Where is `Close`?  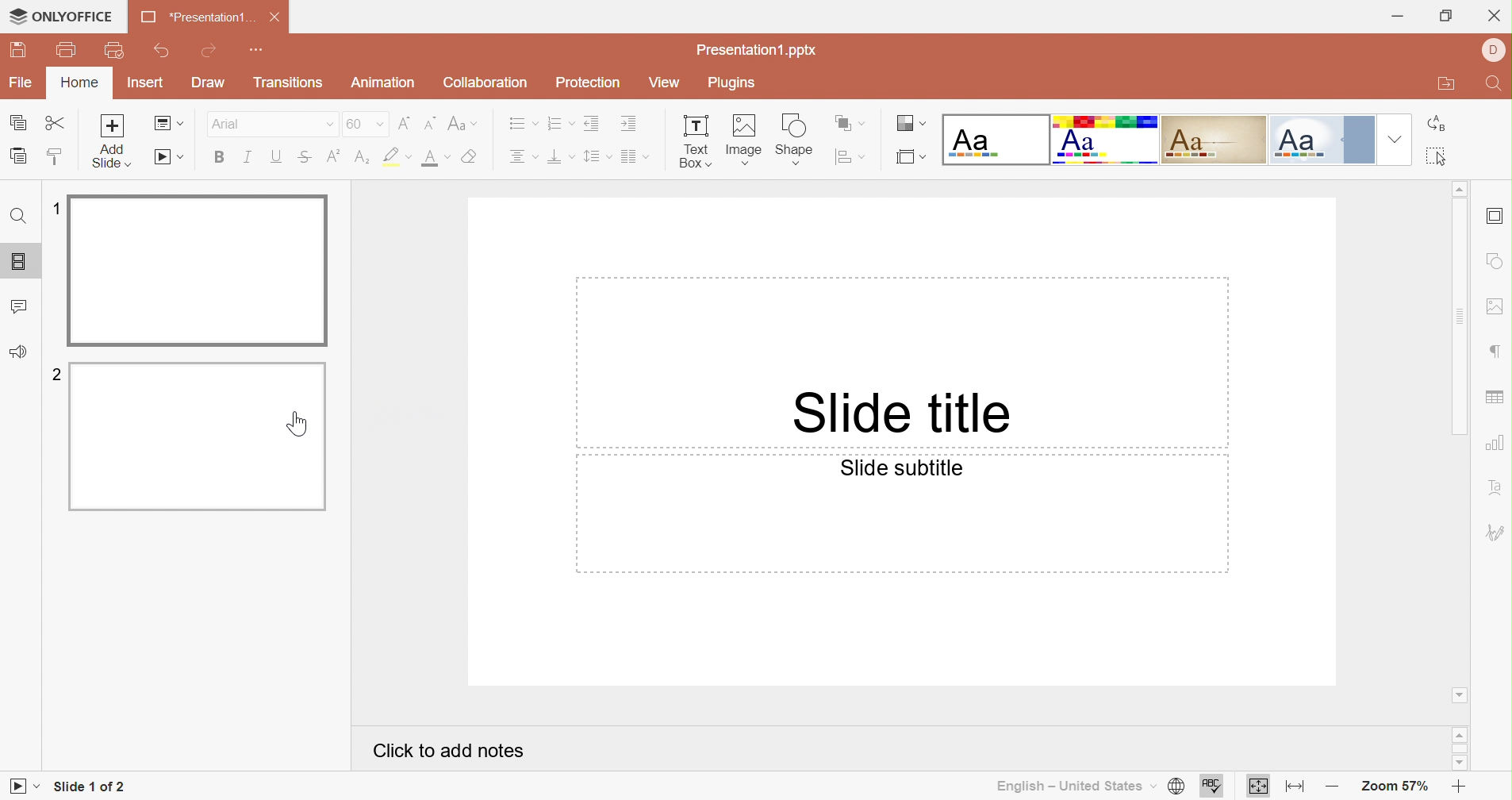
Close is located at coordinates (1496, 15).